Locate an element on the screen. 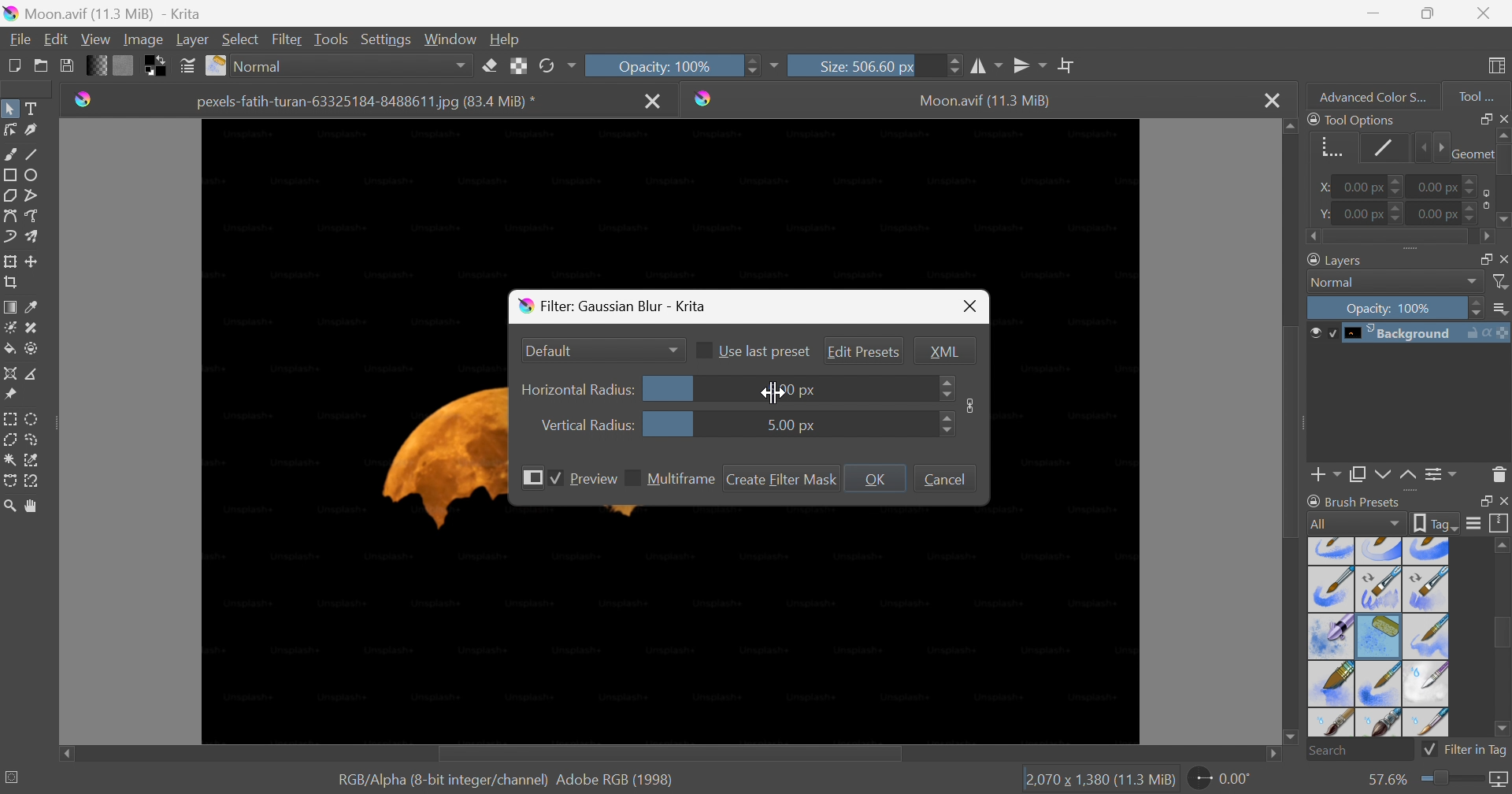 This screenshot has width=1512, height=794. Select shapes tool is located at coordinates (9, 109).